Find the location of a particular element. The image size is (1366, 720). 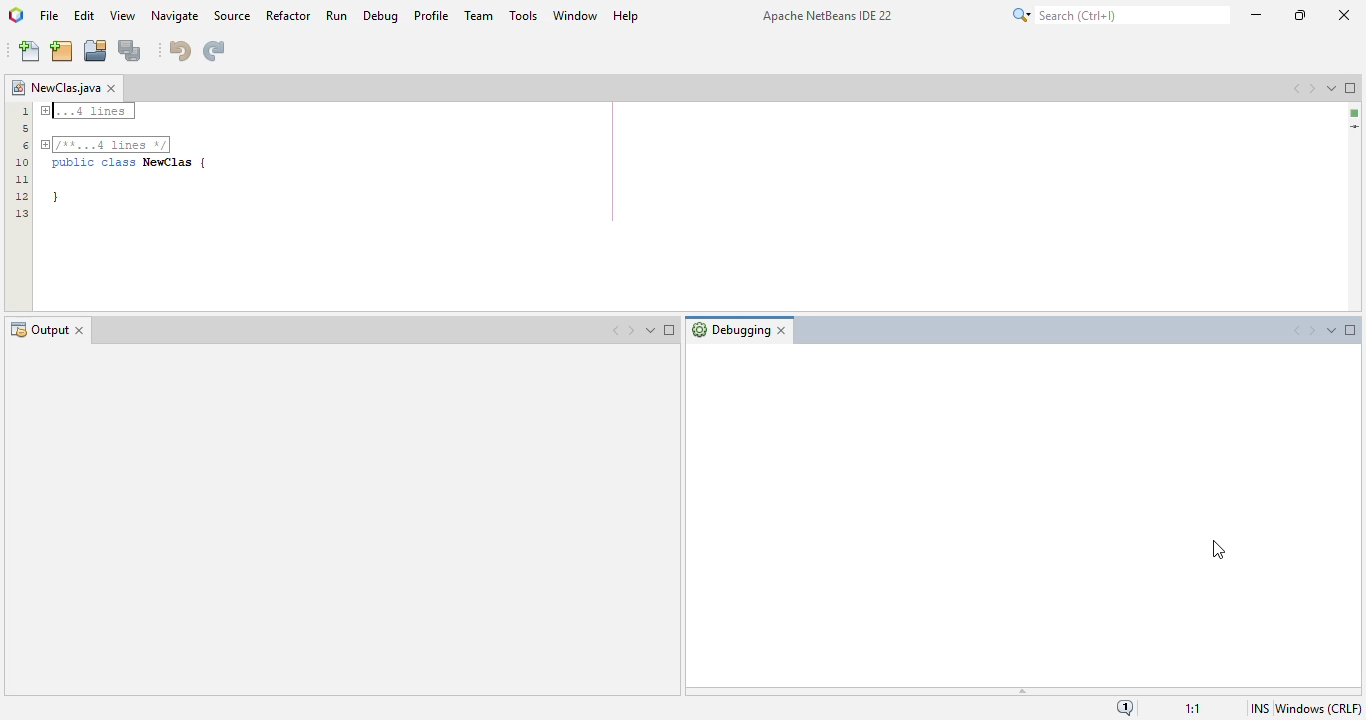

search (Ctrl + I) is located at coordinates (1120, 15).